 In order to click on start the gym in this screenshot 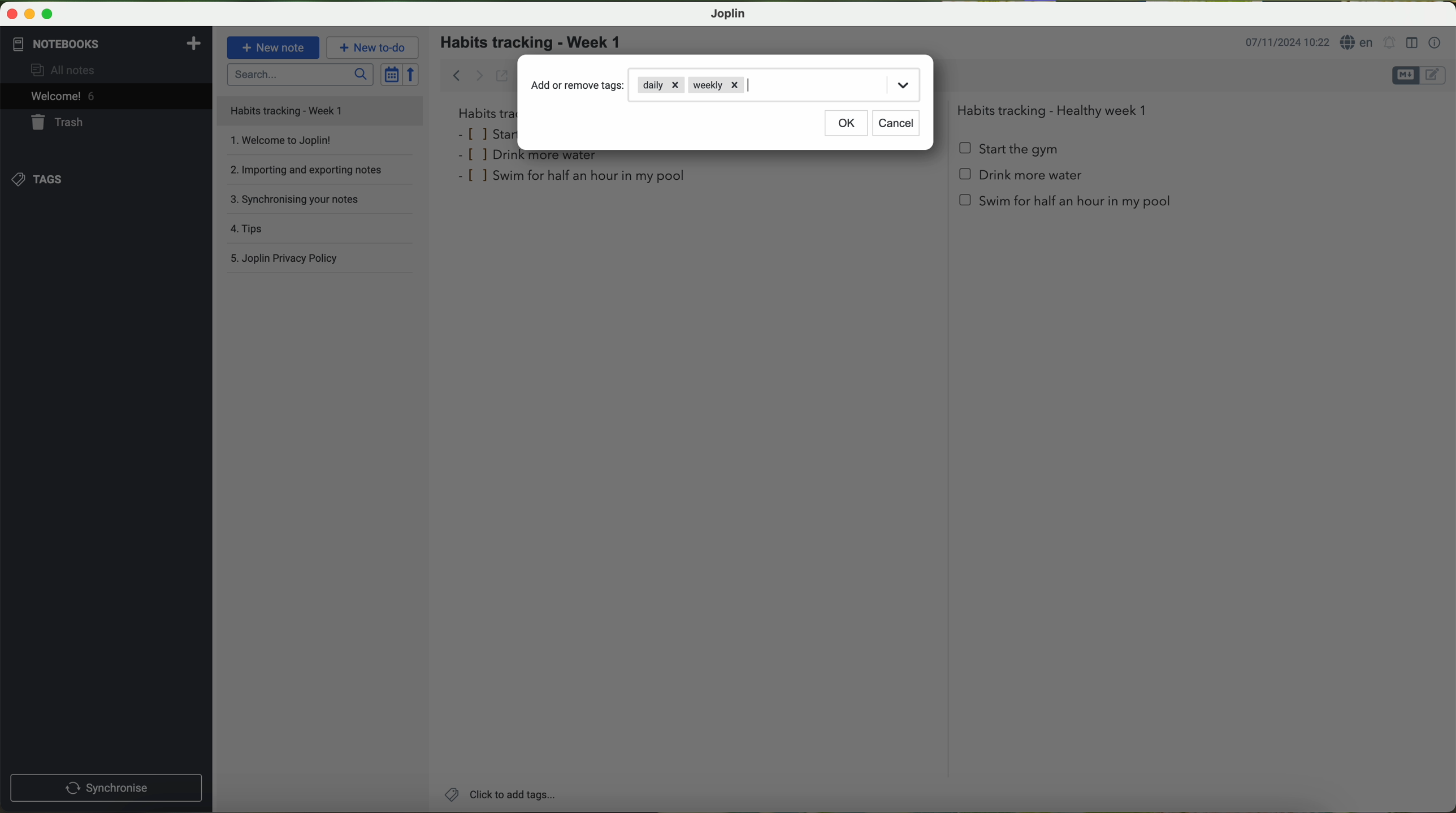, I will do `click(1010, 149)`.